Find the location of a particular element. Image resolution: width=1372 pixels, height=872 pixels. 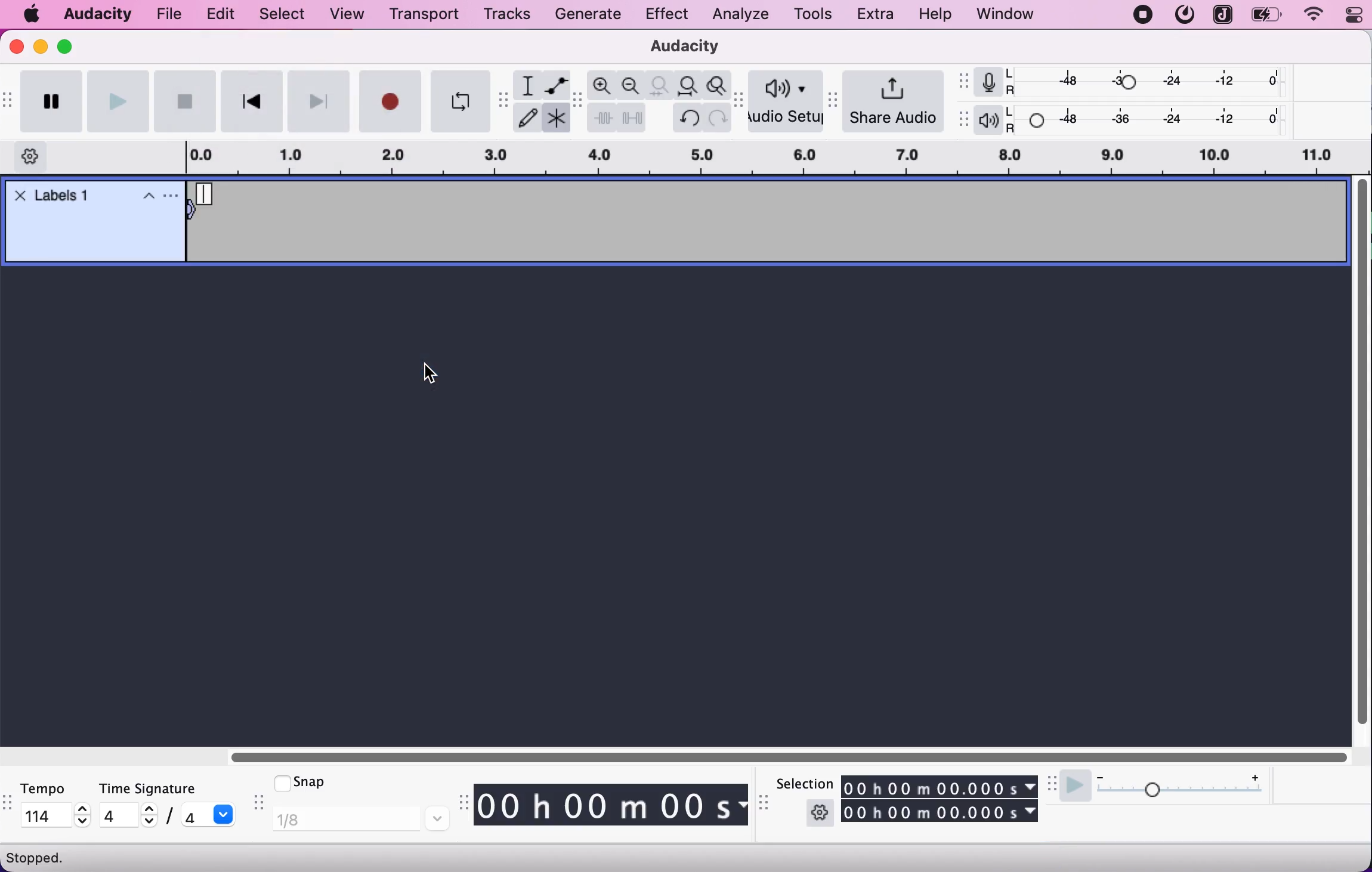

track timing is located at coordinates (941, 812).